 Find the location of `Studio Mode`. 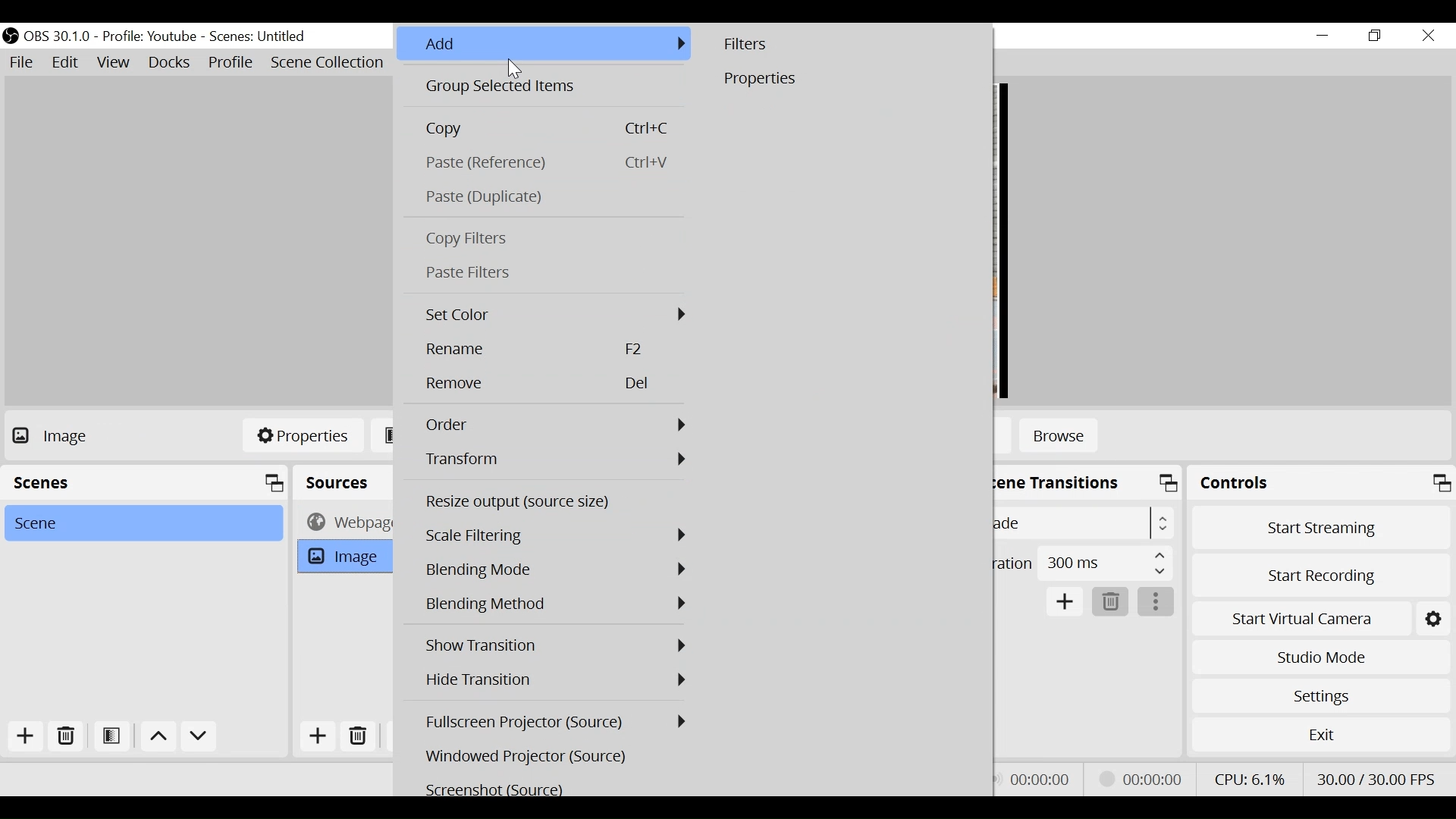

Studio Mode is located at coordinates (1320, 658).